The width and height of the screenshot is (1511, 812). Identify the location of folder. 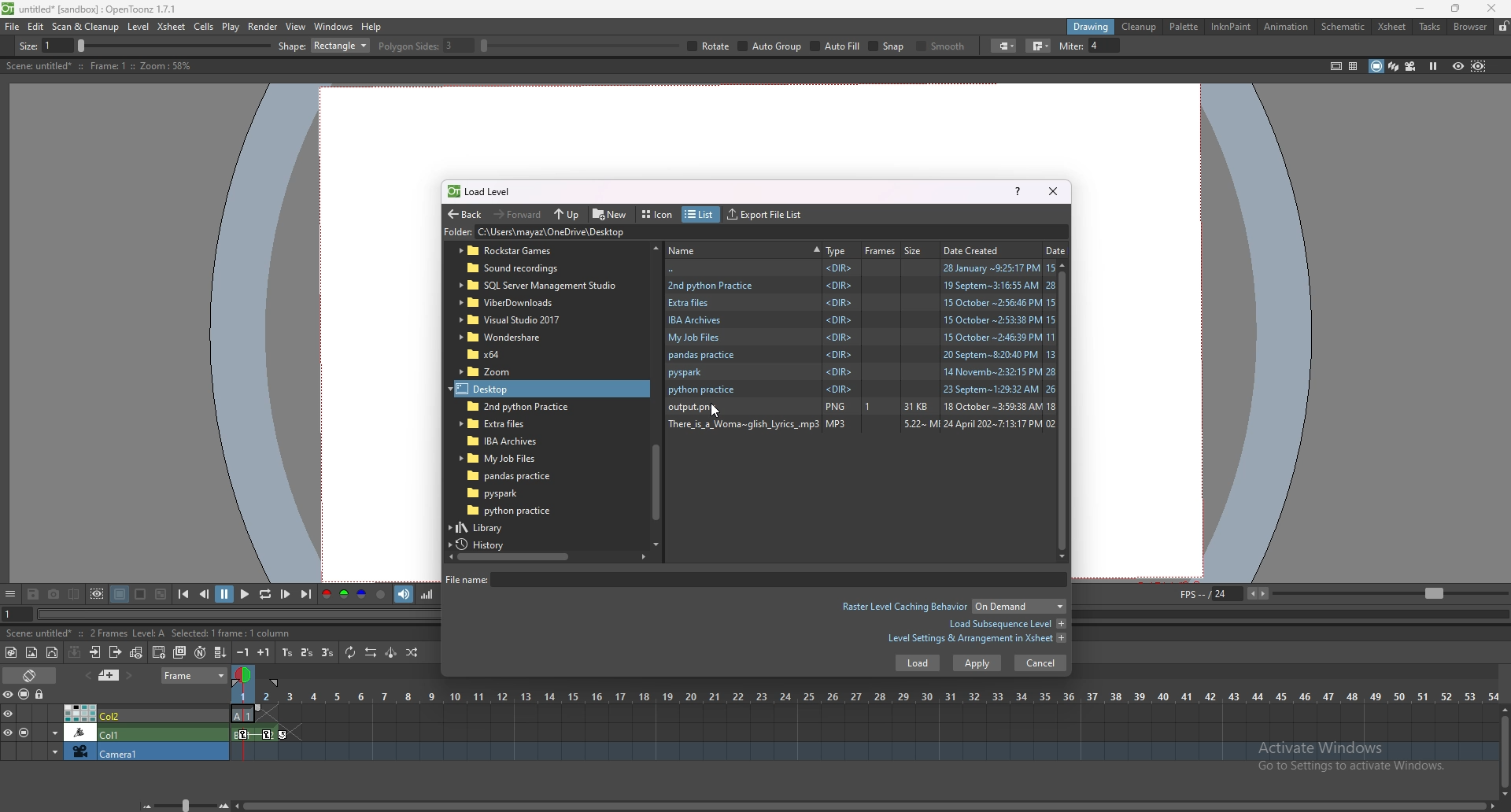
(506, 423).